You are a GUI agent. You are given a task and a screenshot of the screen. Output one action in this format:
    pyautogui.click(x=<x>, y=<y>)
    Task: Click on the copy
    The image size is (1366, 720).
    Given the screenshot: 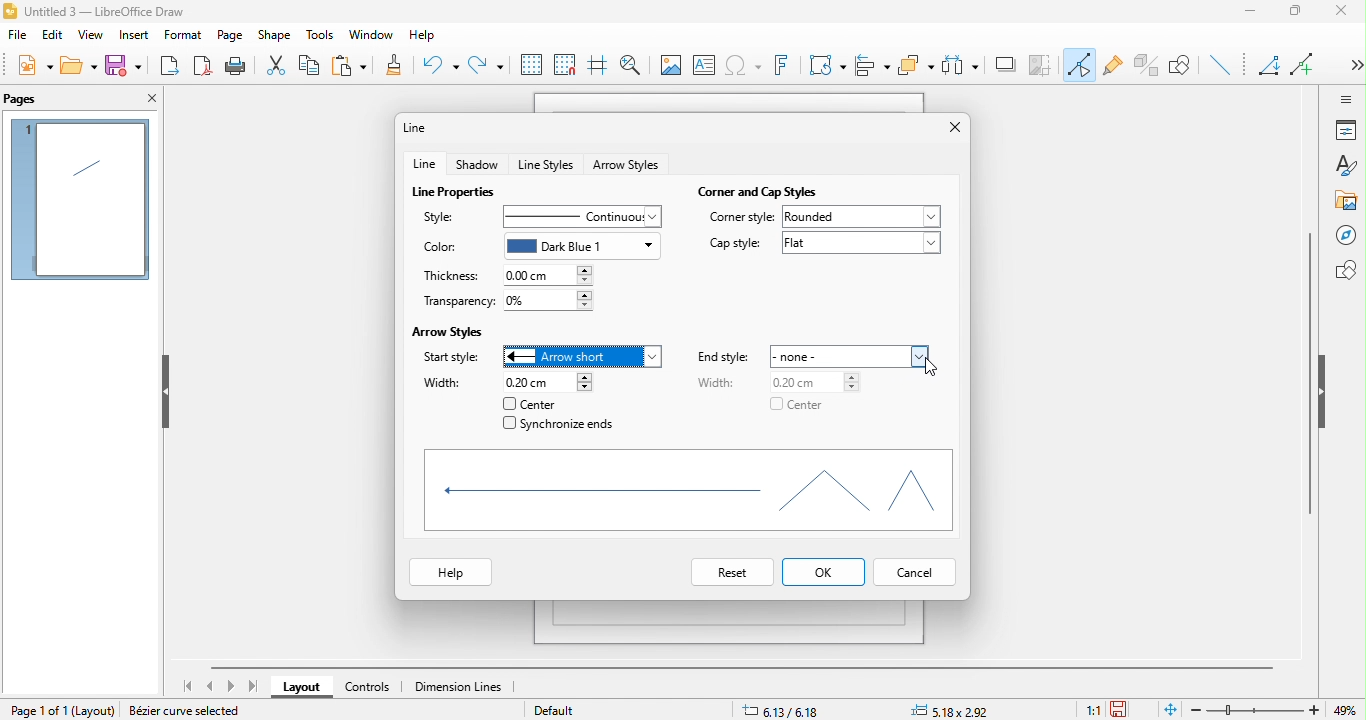 What is the action you would take?
    pyautogui.click(x=314, y=64)
    